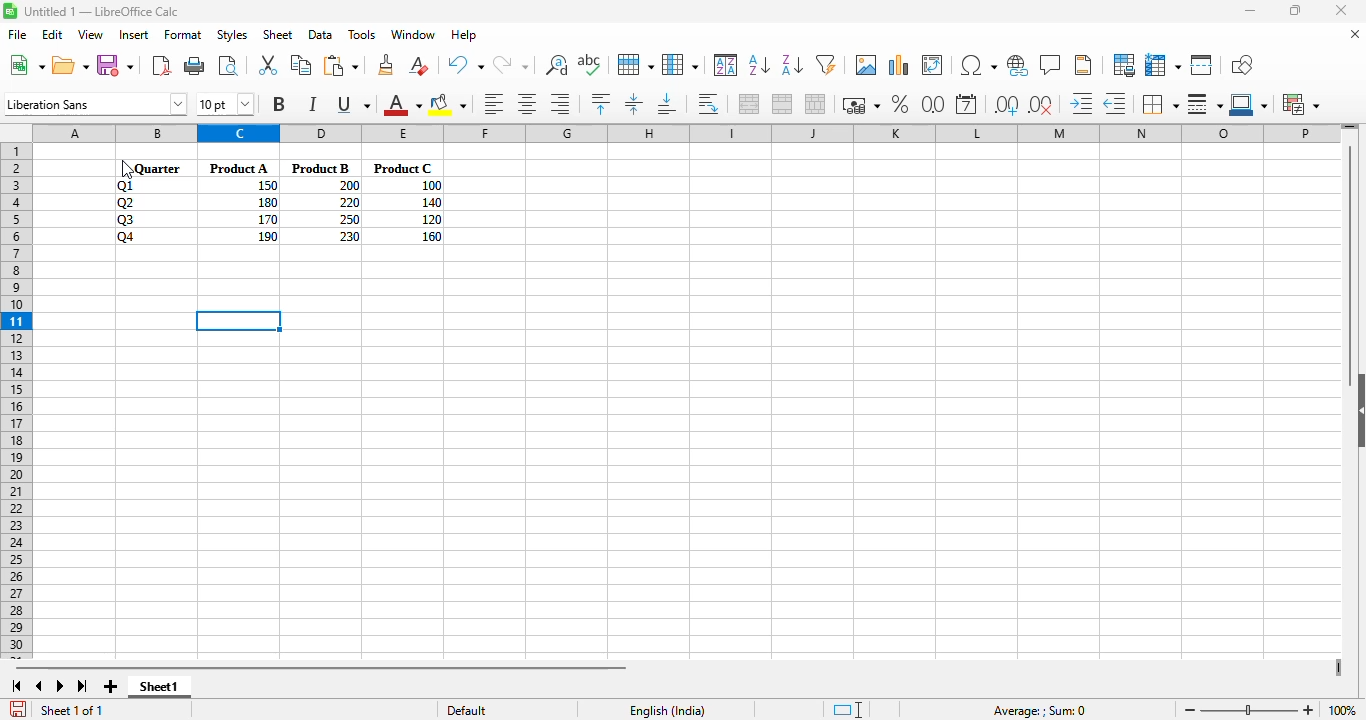  I want to click on 190, so click(267, 236).